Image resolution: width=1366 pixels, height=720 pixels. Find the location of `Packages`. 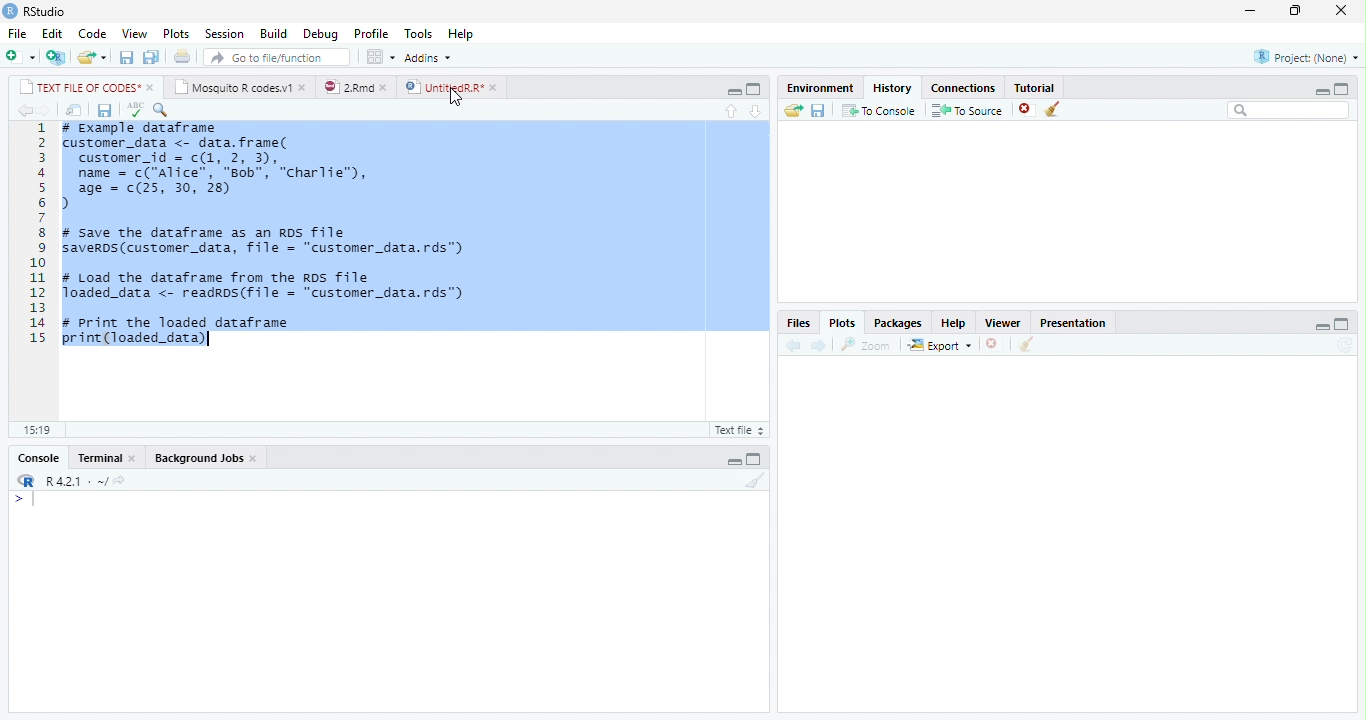

Packages is located at coordinates (895, 324).